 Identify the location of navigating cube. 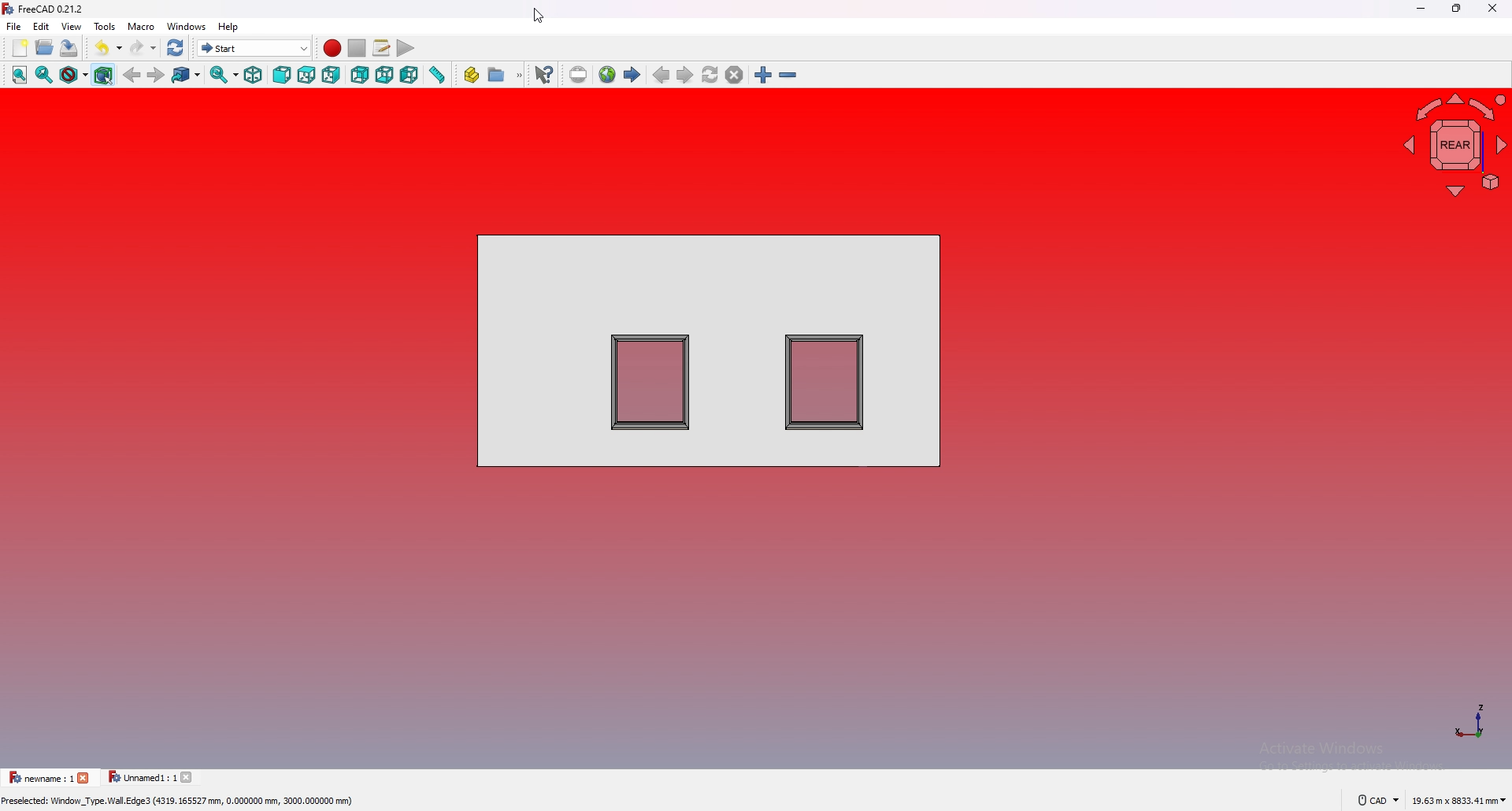
(1454, 147).